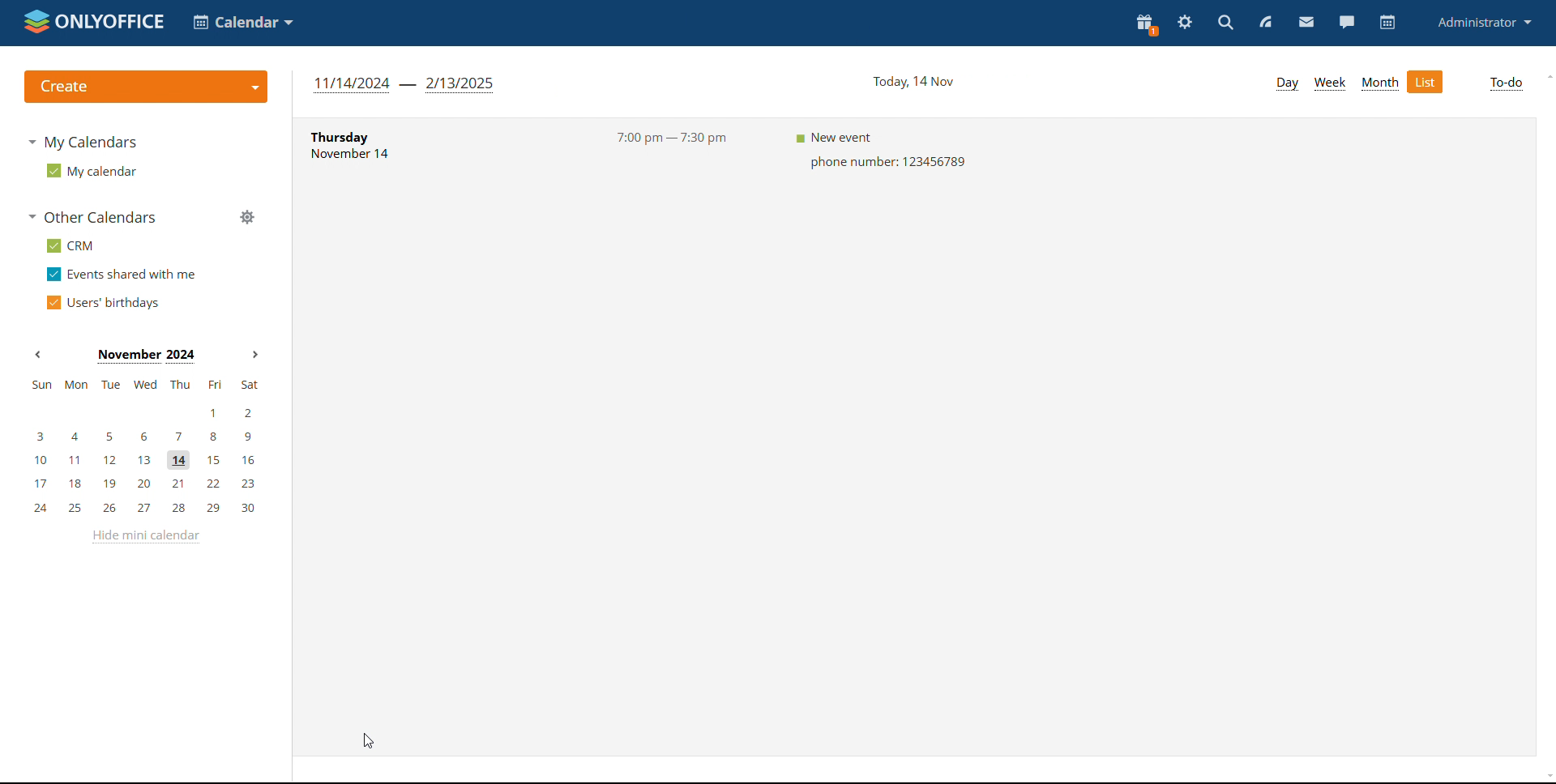  Describe the element at coordinates (1306, 23) in the screenshot. I see `mail` at that location.